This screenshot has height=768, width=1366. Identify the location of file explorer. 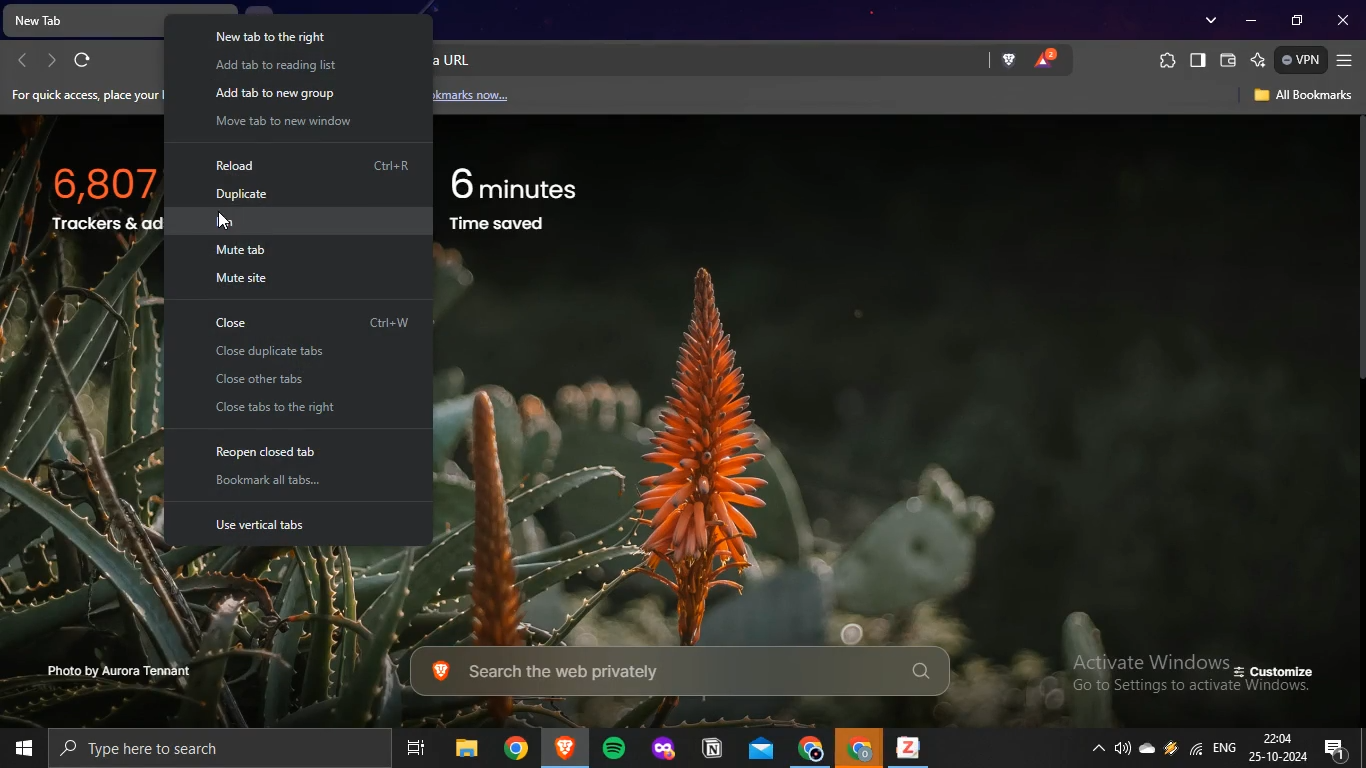
(471, 748).